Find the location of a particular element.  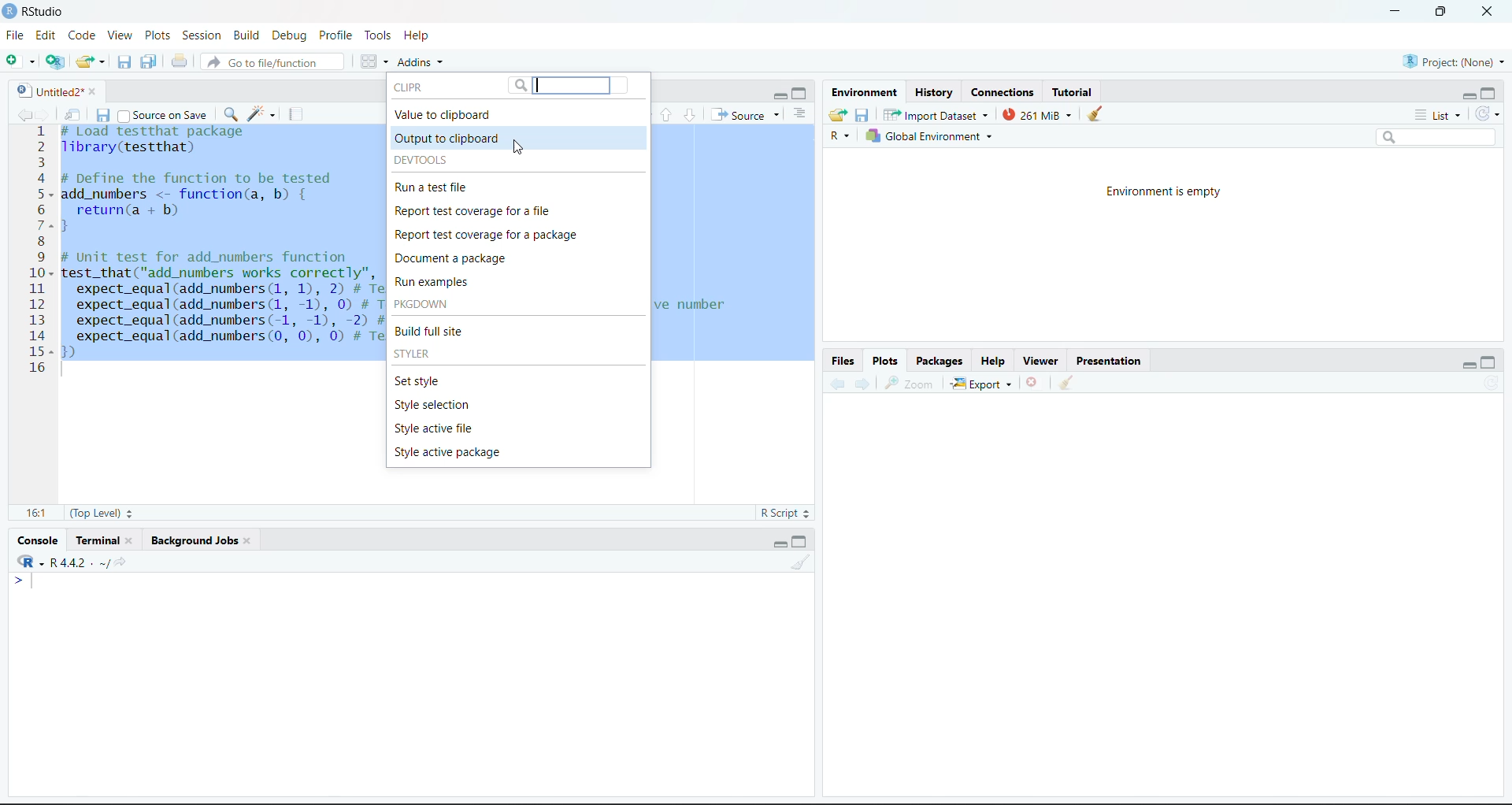

Stepper buttons is located at coordinates (133, 513).